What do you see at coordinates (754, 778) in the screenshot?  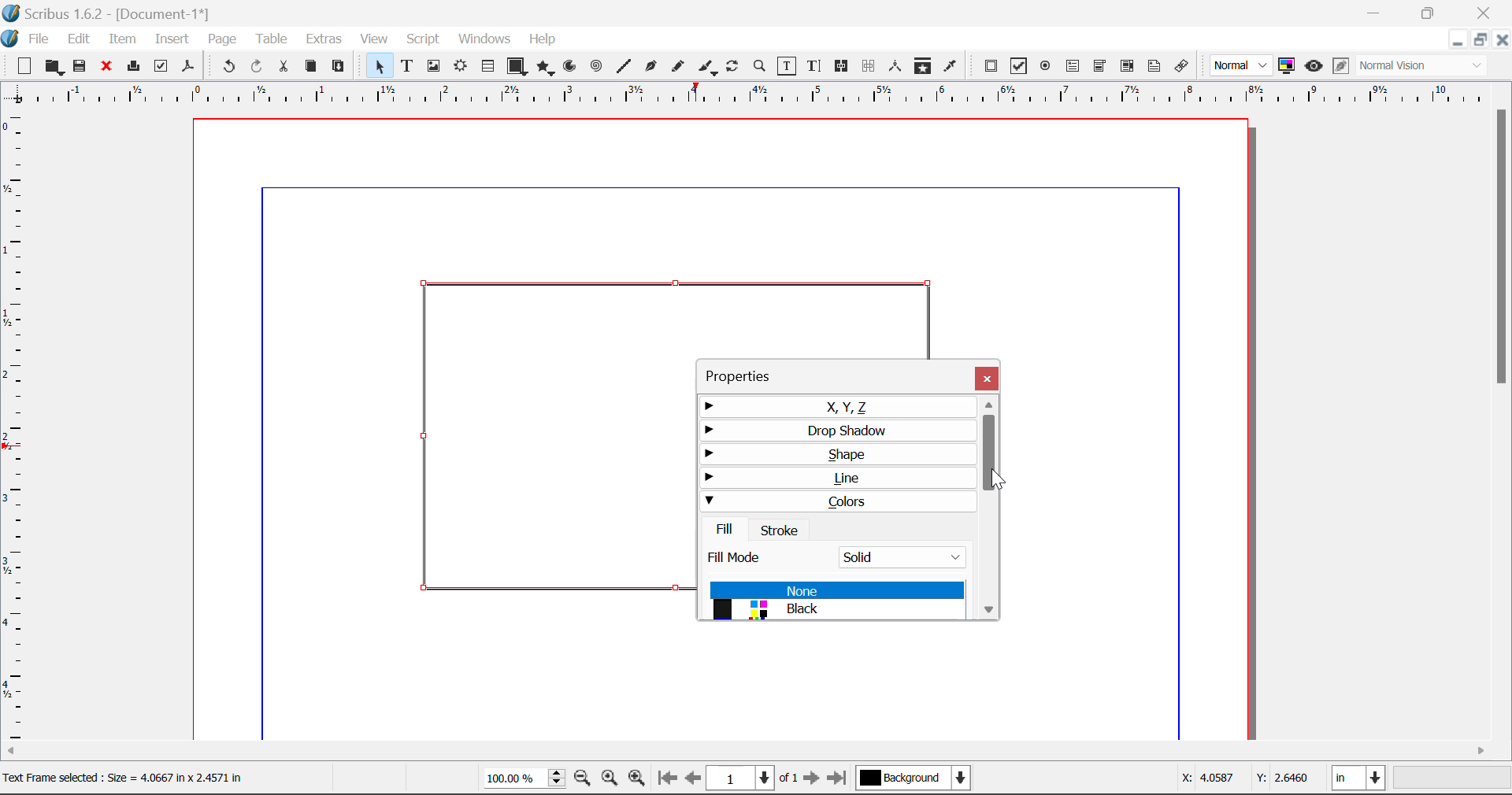 I see `Page 1 of 1` at bounding box center [754, 778].